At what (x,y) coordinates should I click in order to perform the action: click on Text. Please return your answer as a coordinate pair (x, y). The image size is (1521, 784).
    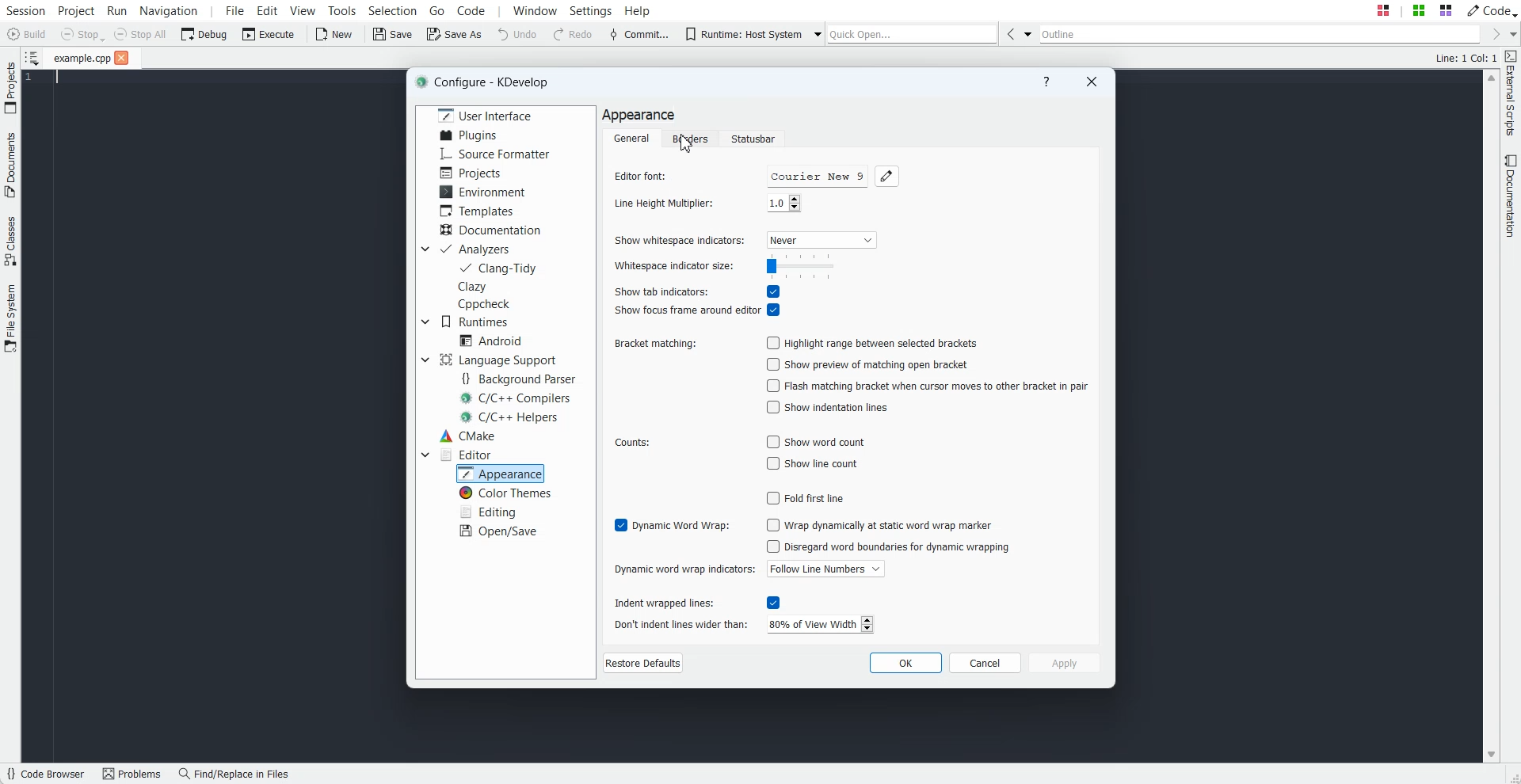
    Looking at the image, I should click on (483, 81).